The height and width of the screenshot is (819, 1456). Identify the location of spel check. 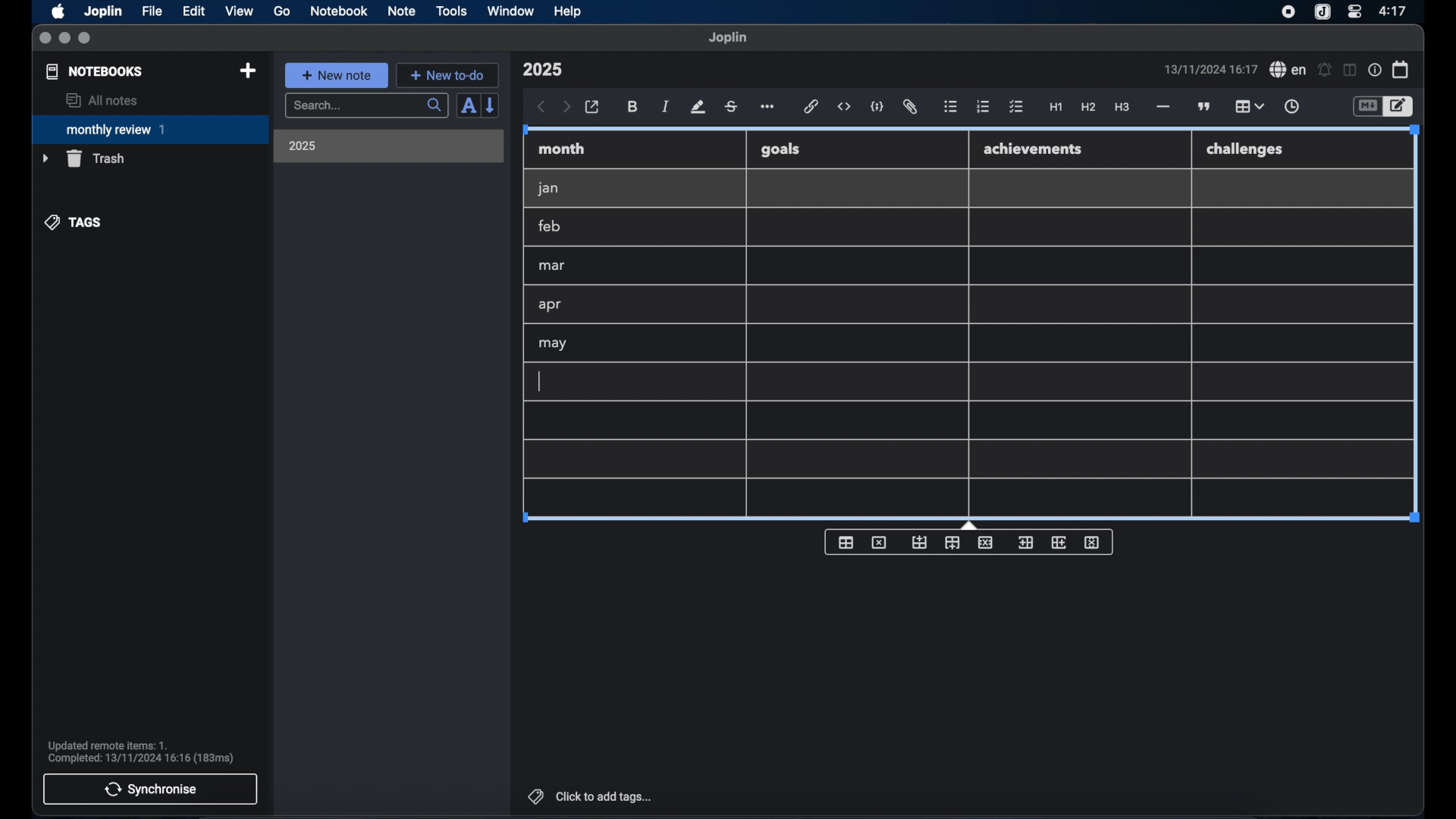
(1288, 70).